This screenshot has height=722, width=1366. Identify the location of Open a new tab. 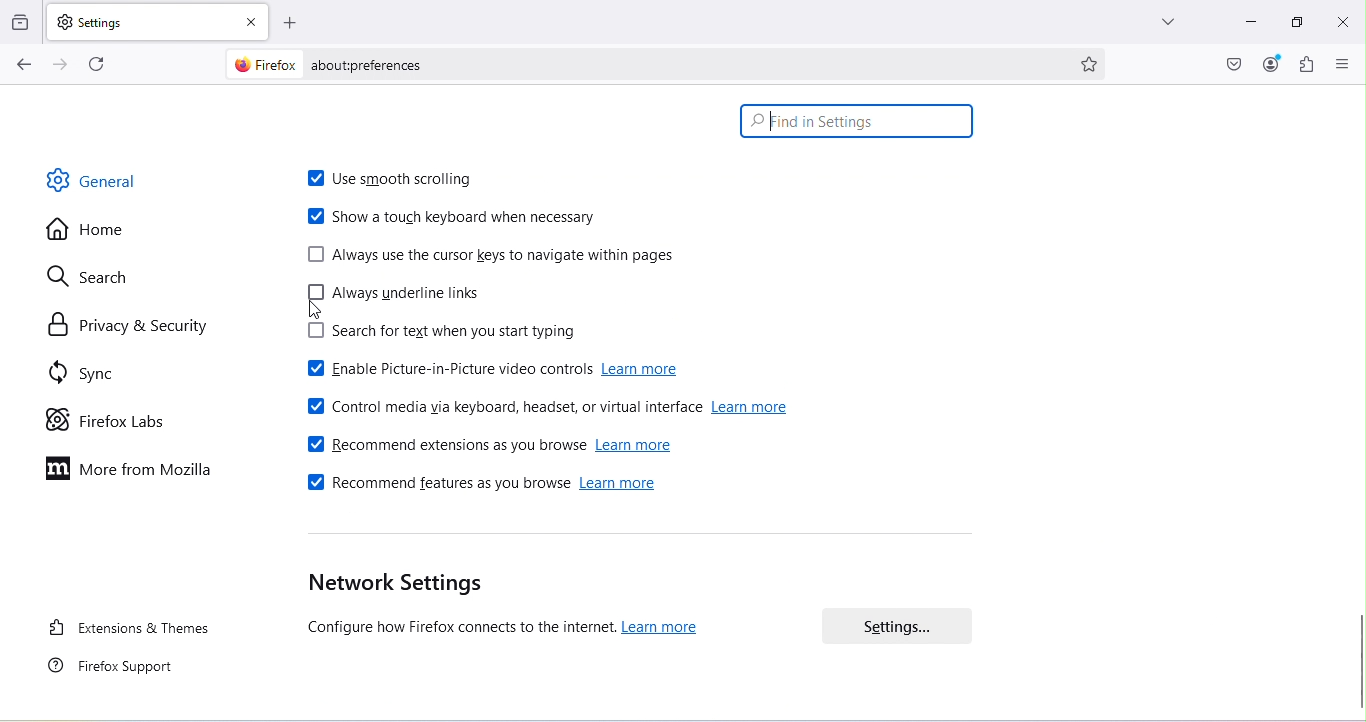
(299, 25).